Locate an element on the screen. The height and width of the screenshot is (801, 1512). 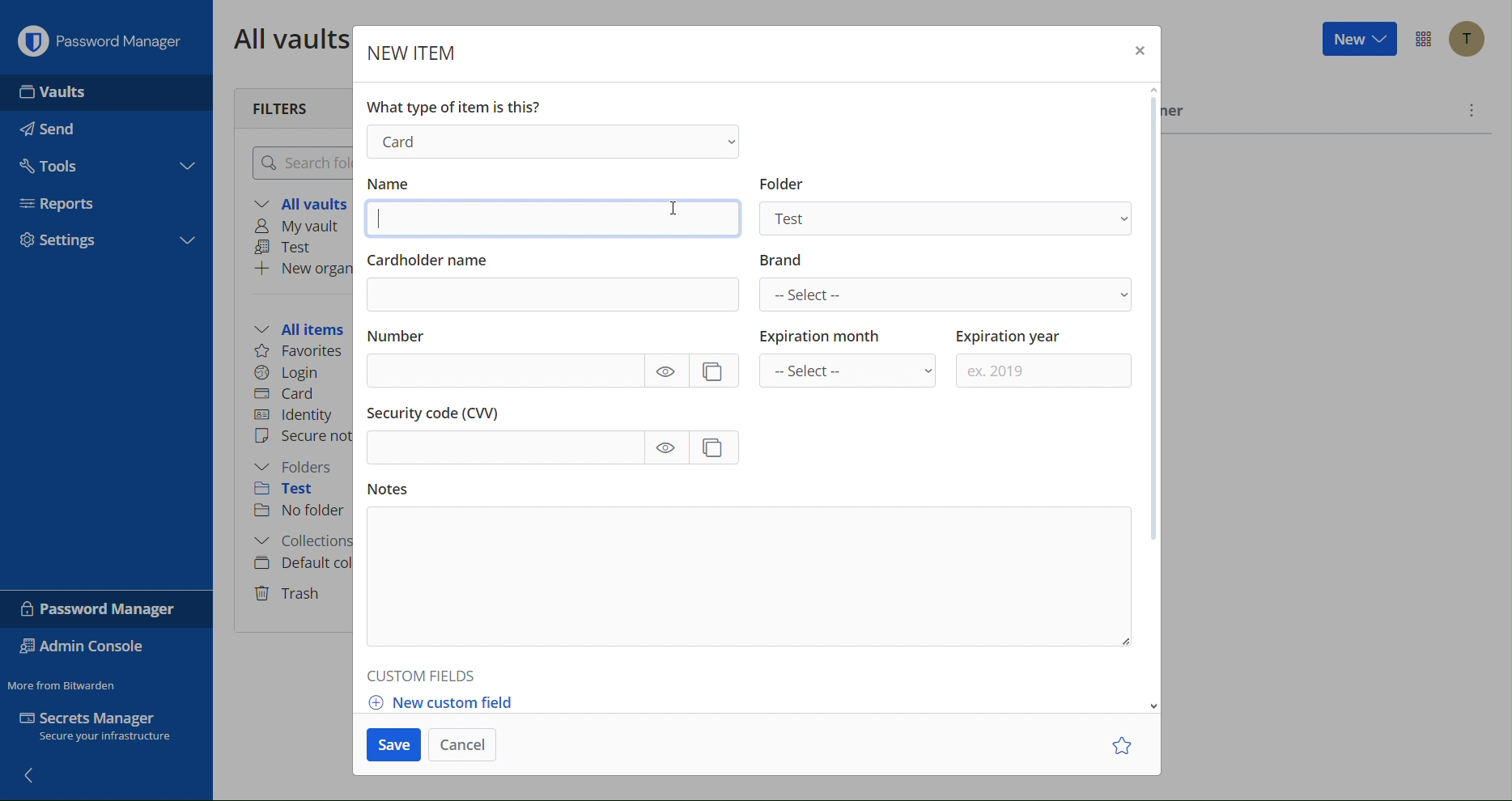
Test is located at coordinates (289, 489).